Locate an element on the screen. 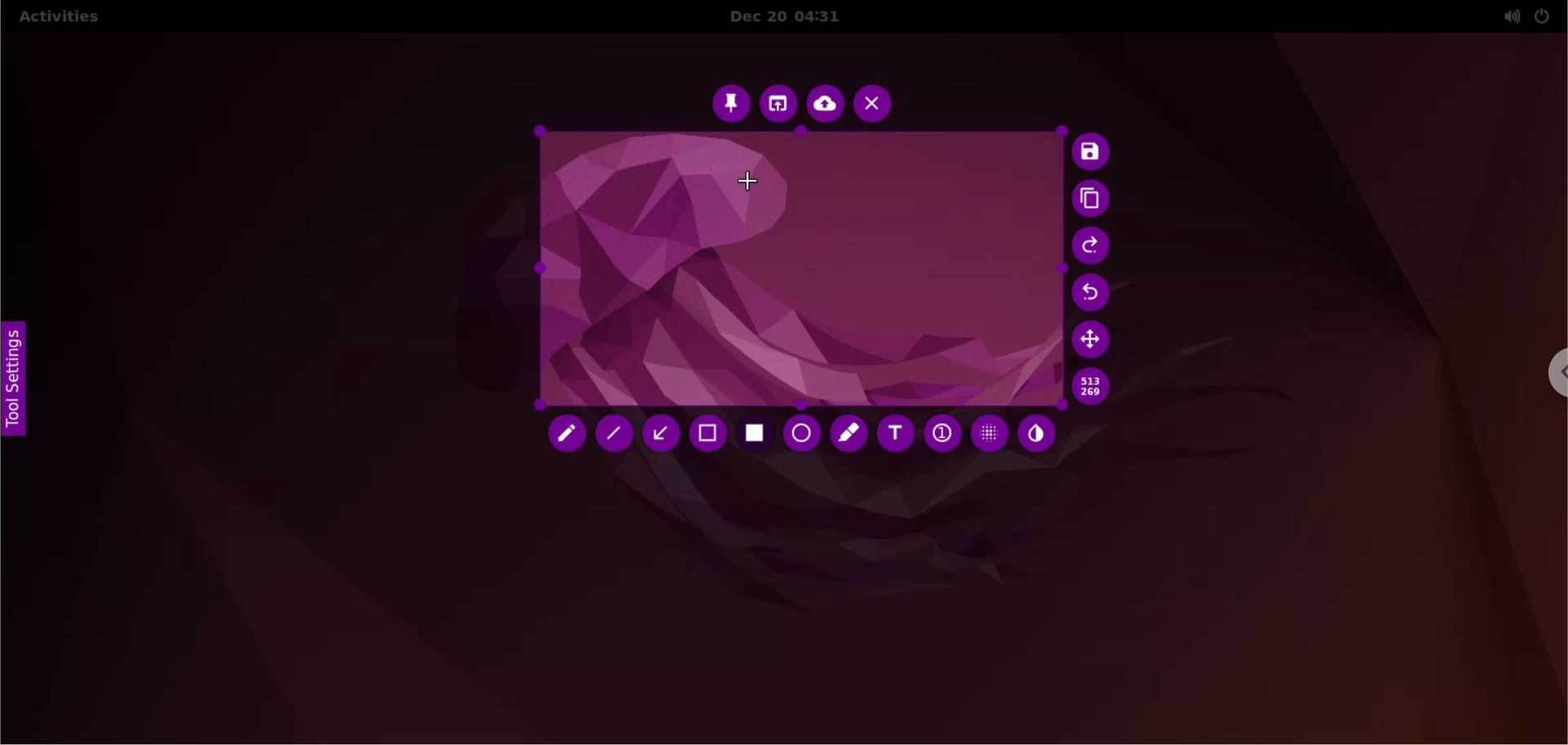 This screenshot has height=745, width=1568. pencil tool is located at coordinates (561, 435).